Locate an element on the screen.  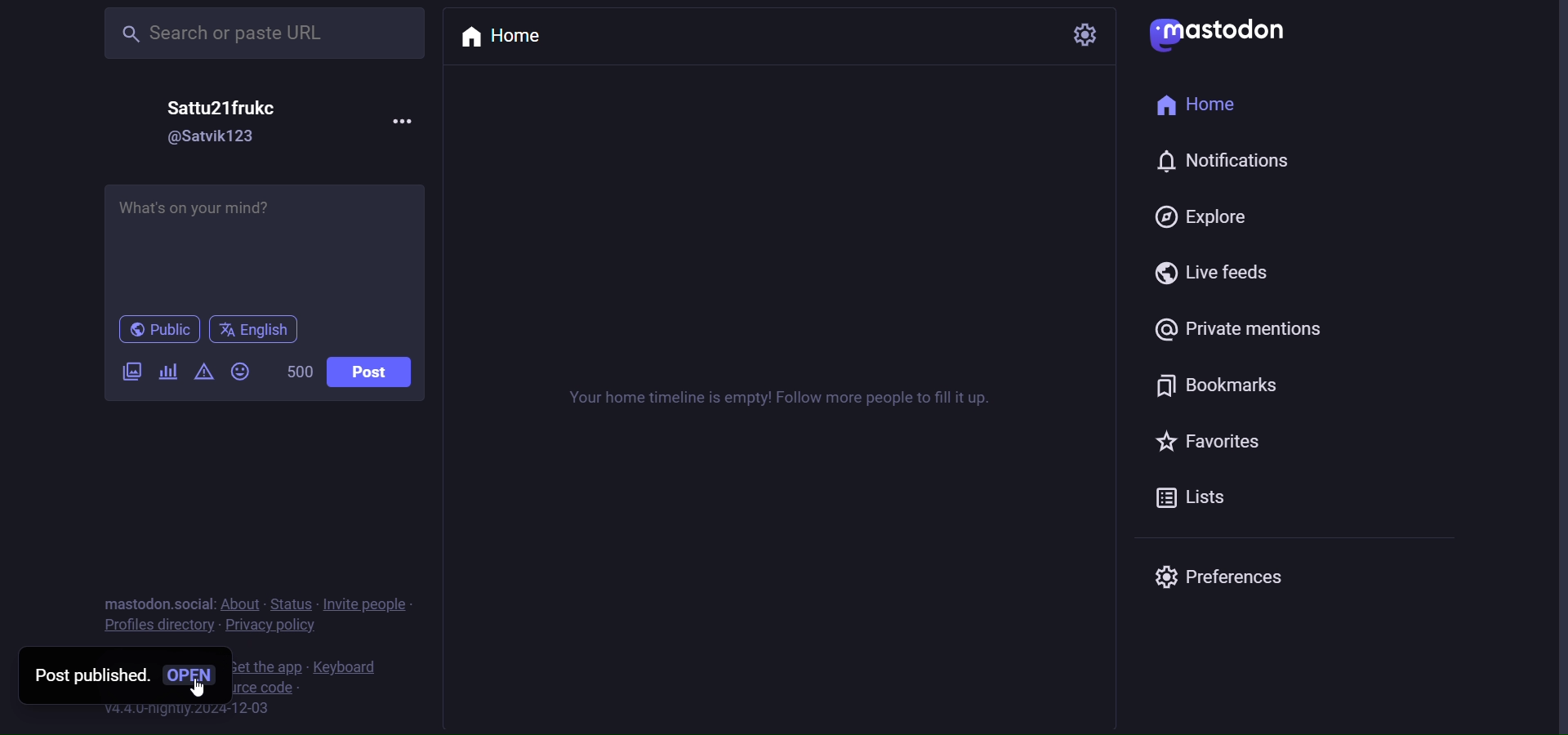
list is located at coordinates (1198, 497).